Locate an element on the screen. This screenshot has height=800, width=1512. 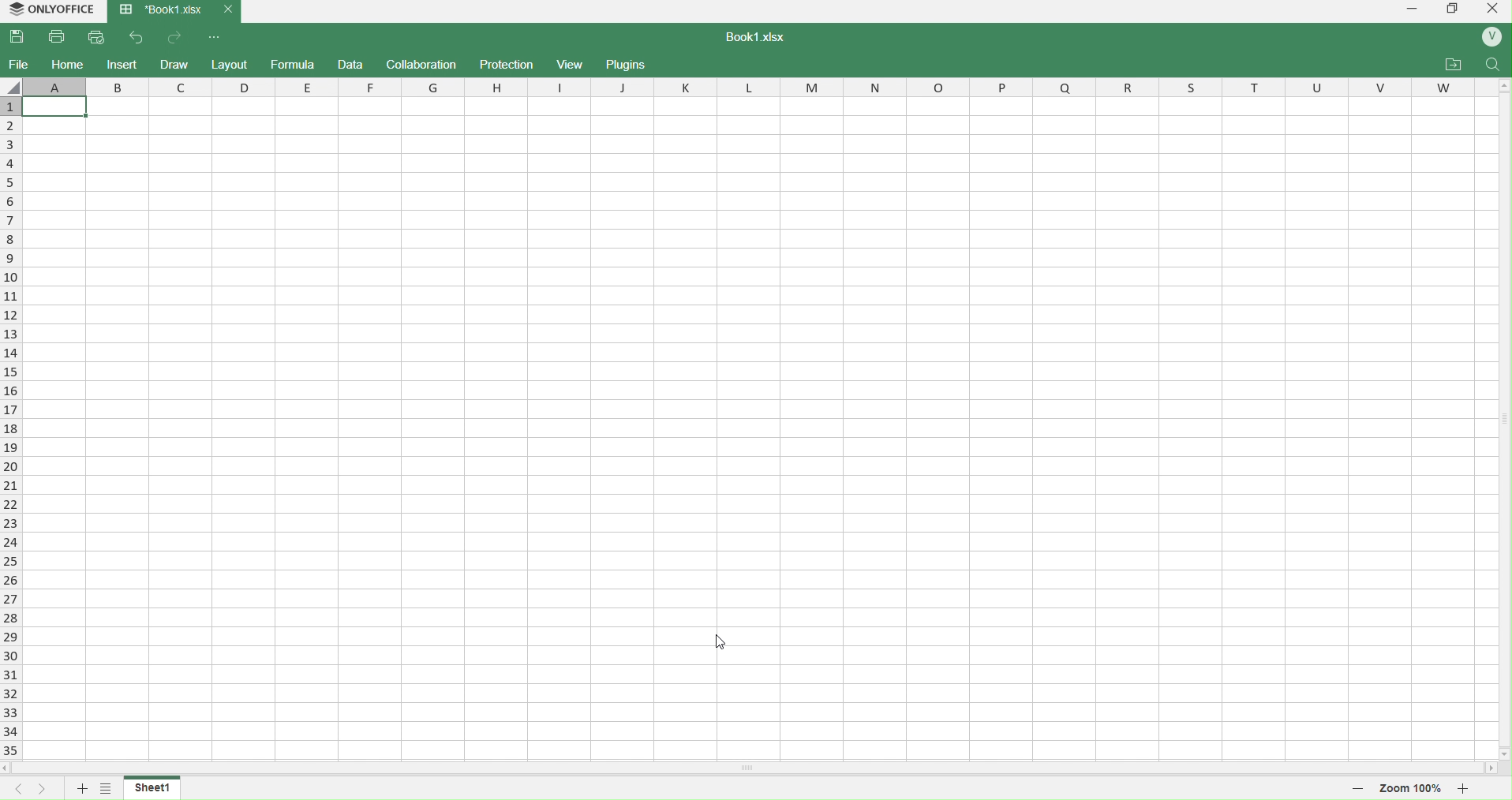
cursor is located at coordinates (720, 640).